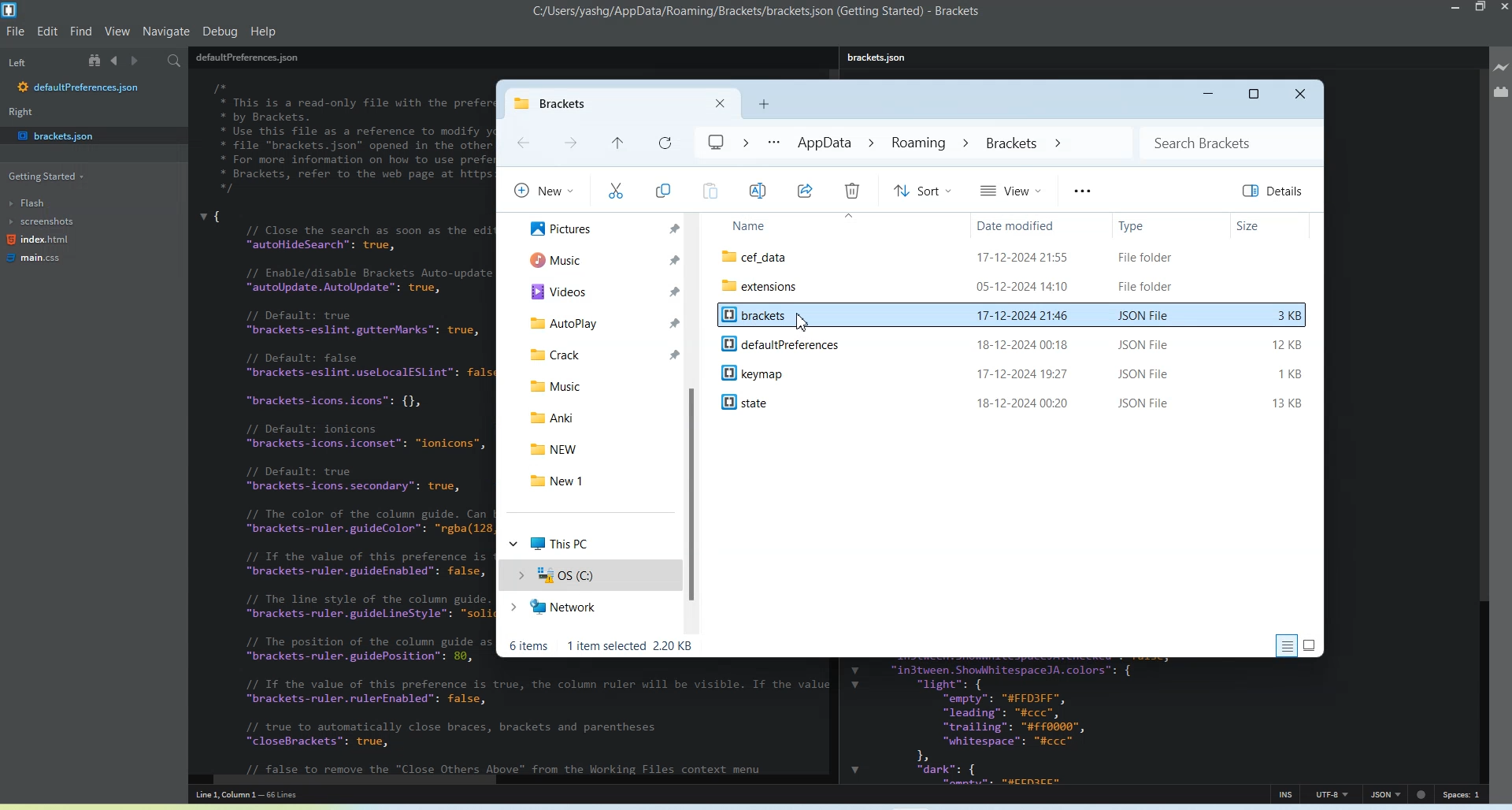 Image resolution: width=1512 pixels, height=810 pixels. I want to click on Delete, so click(851, 191).